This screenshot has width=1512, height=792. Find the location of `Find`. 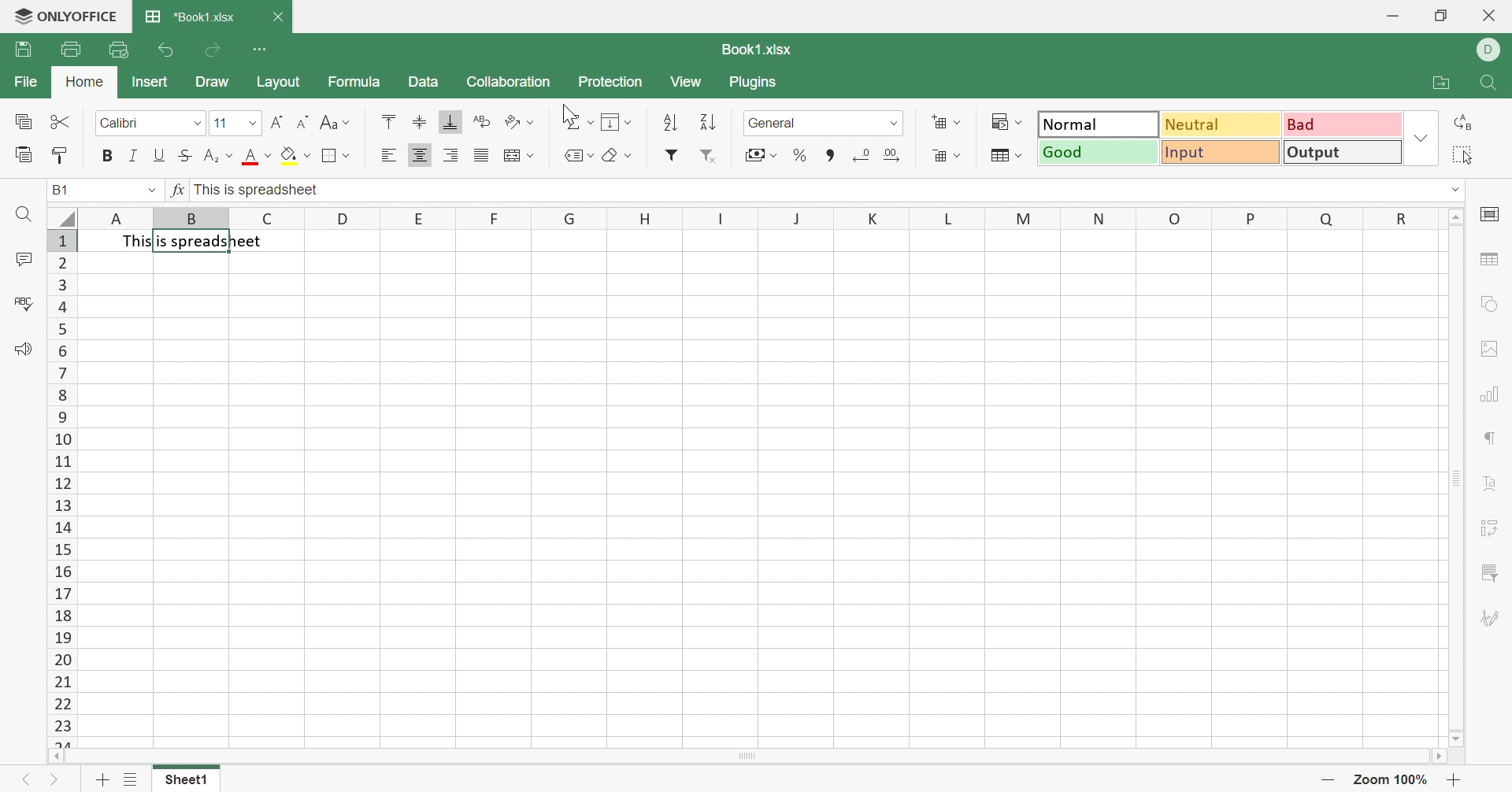

Find is located at coordinates (22, 214).